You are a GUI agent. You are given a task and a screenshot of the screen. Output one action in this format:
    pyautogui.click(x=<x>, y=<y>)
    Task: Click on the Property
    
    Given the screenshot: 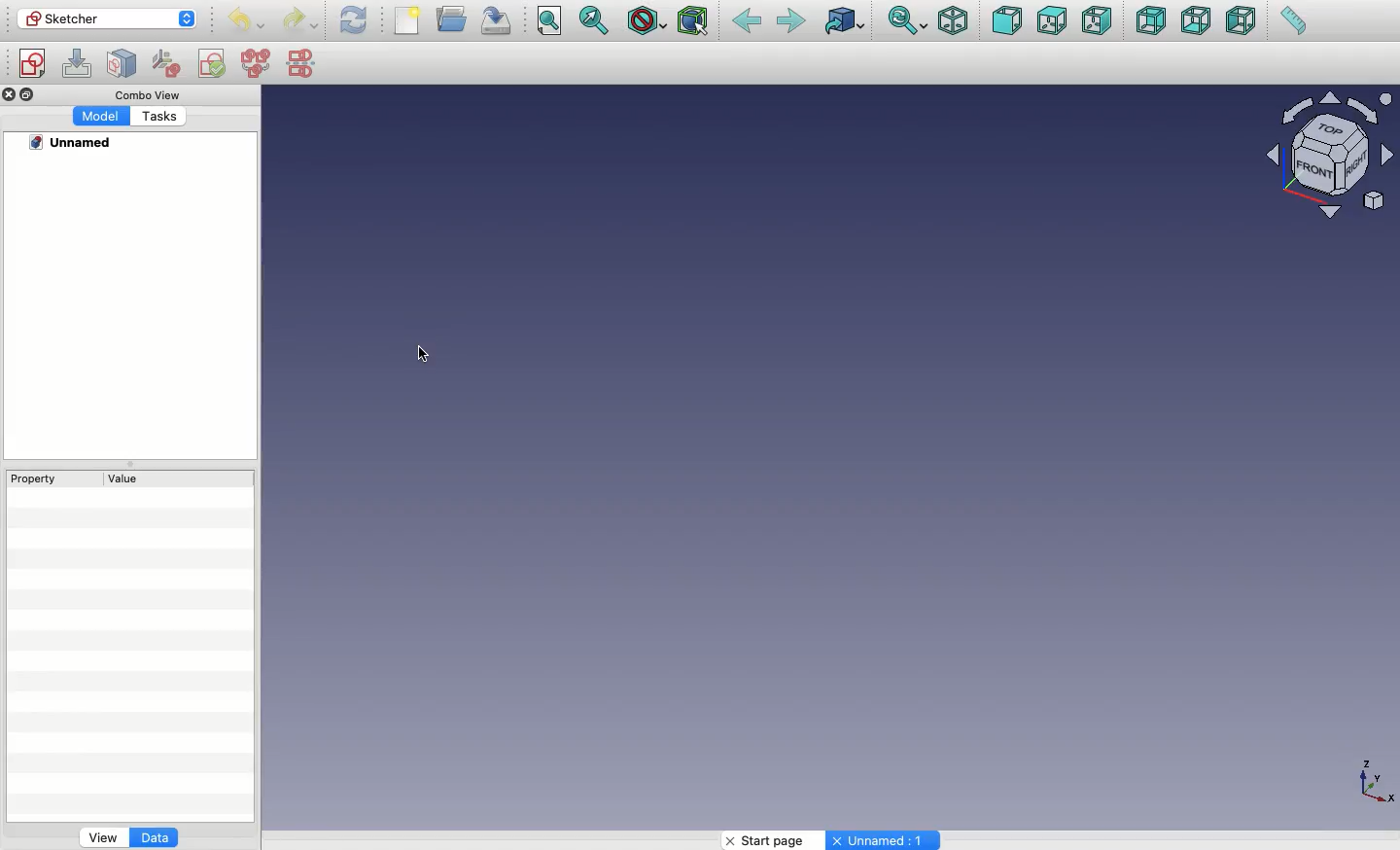 What is the action you would take?
    pyautogui.click(x=38, y=480)
    